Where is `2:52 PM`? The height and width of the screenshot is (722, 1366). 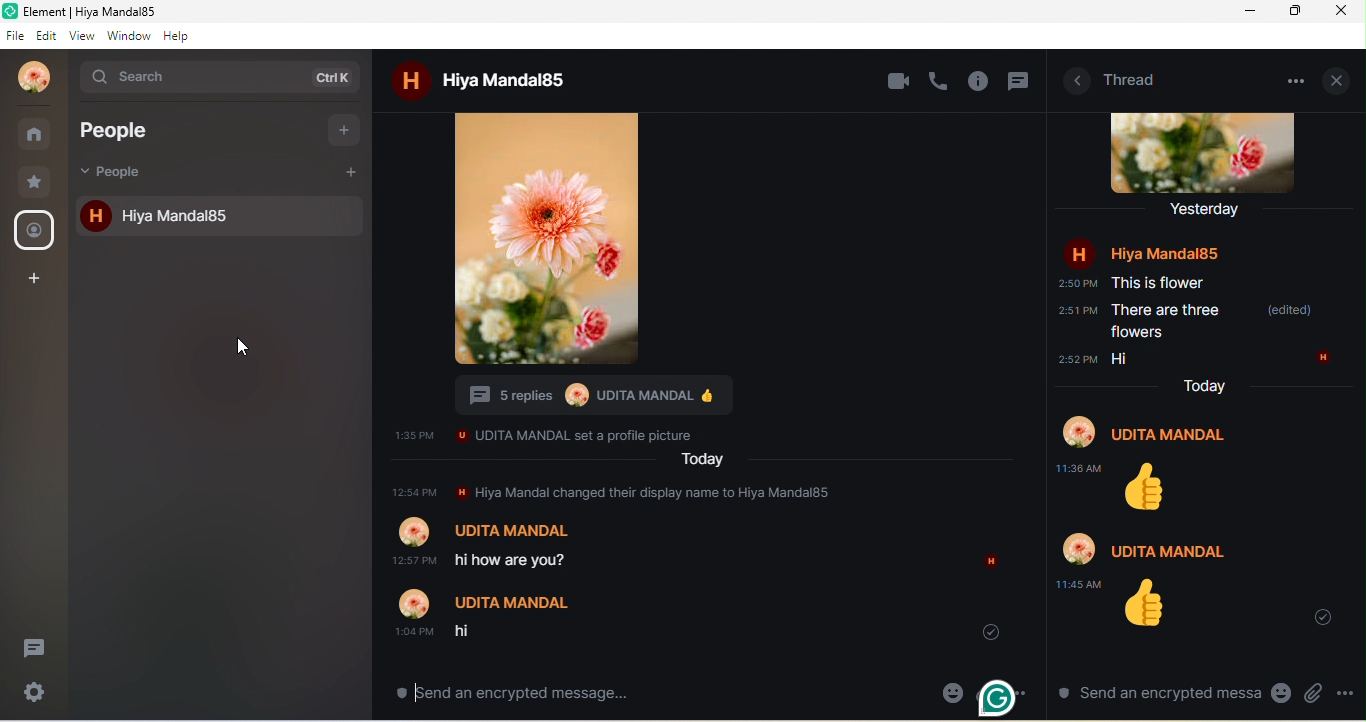 2:52 PM is located at coordinates (1077, 359).